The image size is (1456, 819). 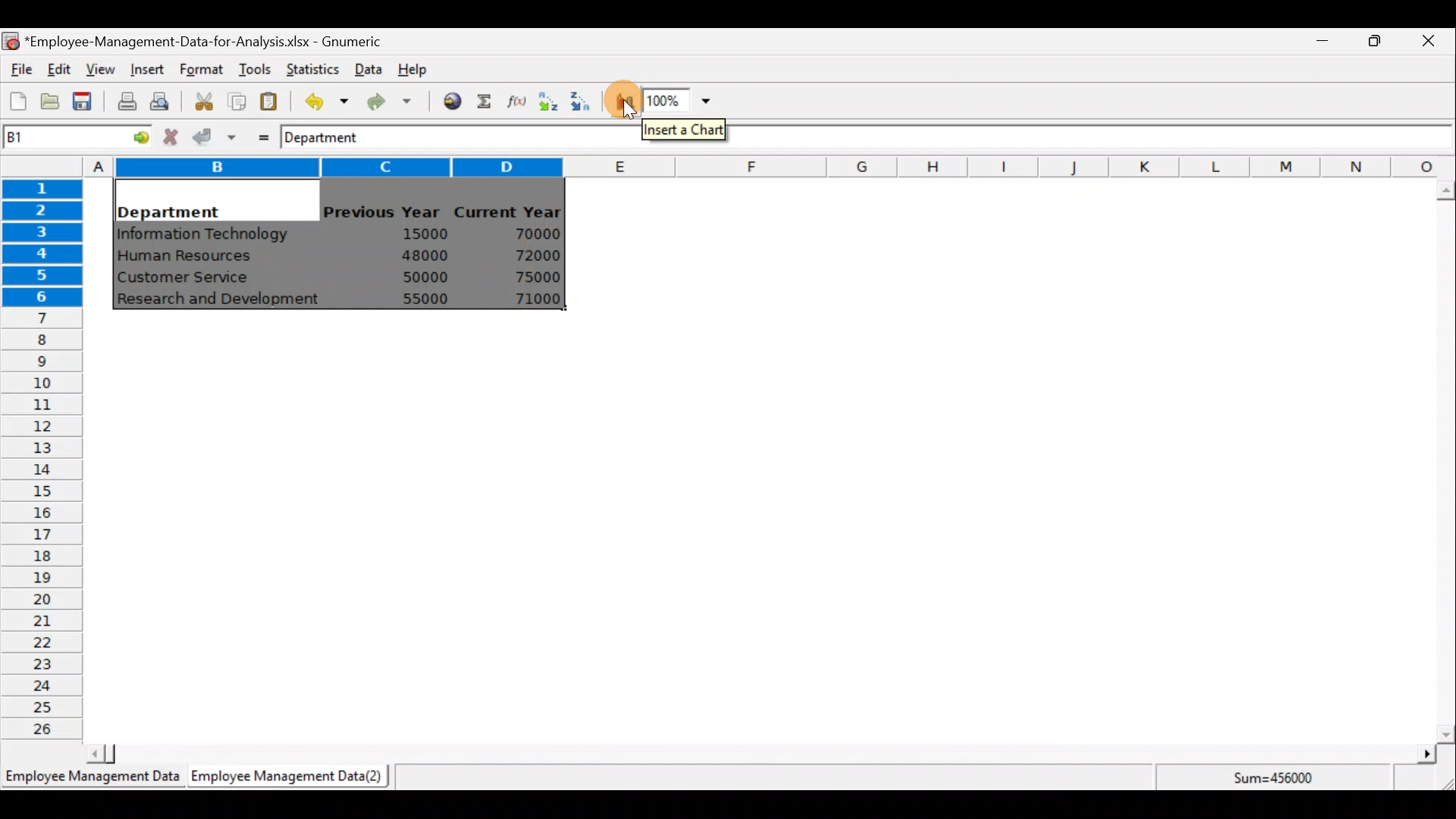 What do you see at coordinates (686, 129) in the screenshot?
I see `Insert a chart` at bounding box center [686, 129].